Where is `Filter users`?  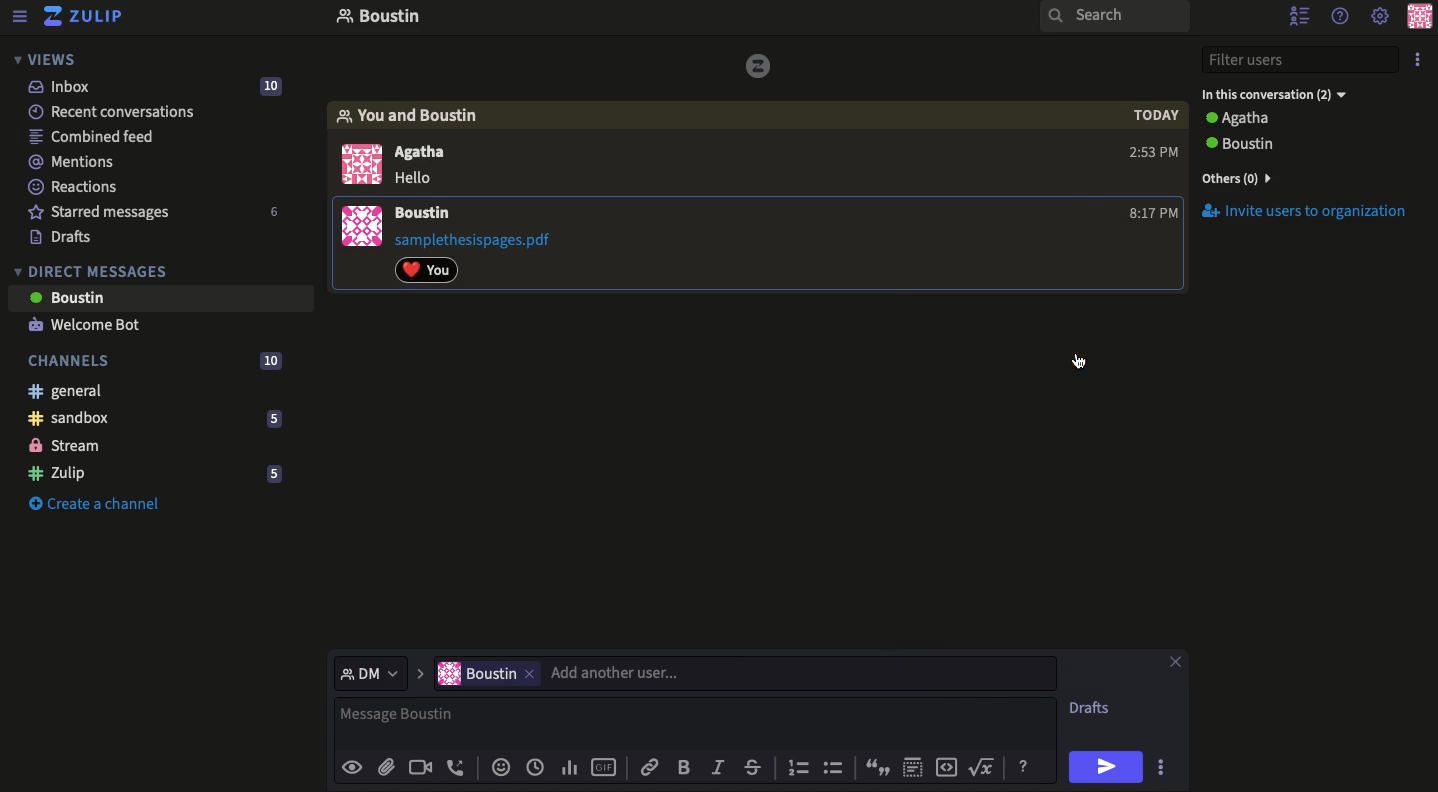 Filter users is located at coordinates (1302, 61).